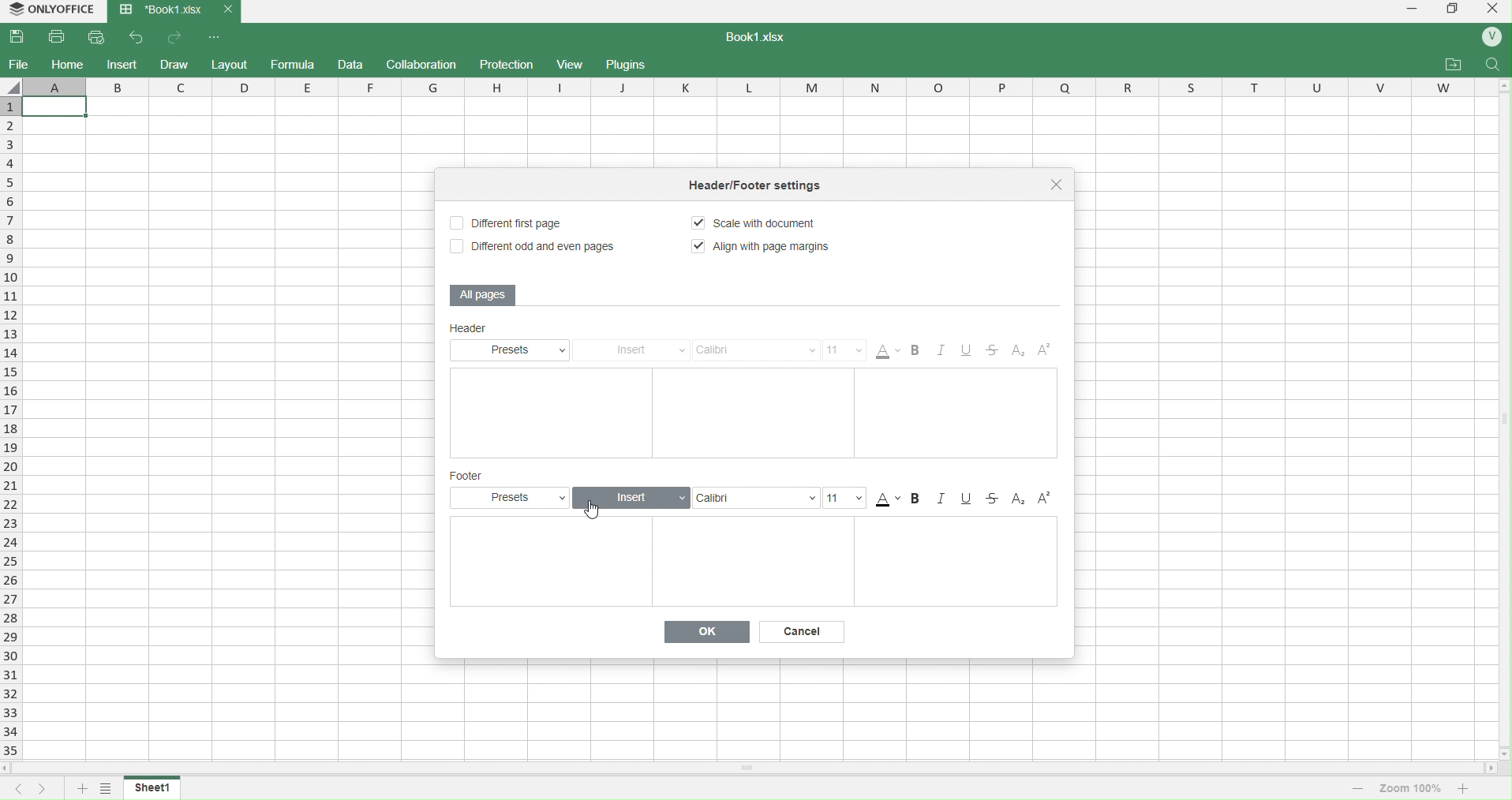 Image resolution: width=1512 pixels, height=800 pixels. What do you see at coordinates (515, 497) in the screenshot?
I see `Presets` at bounding box center [515, 497].